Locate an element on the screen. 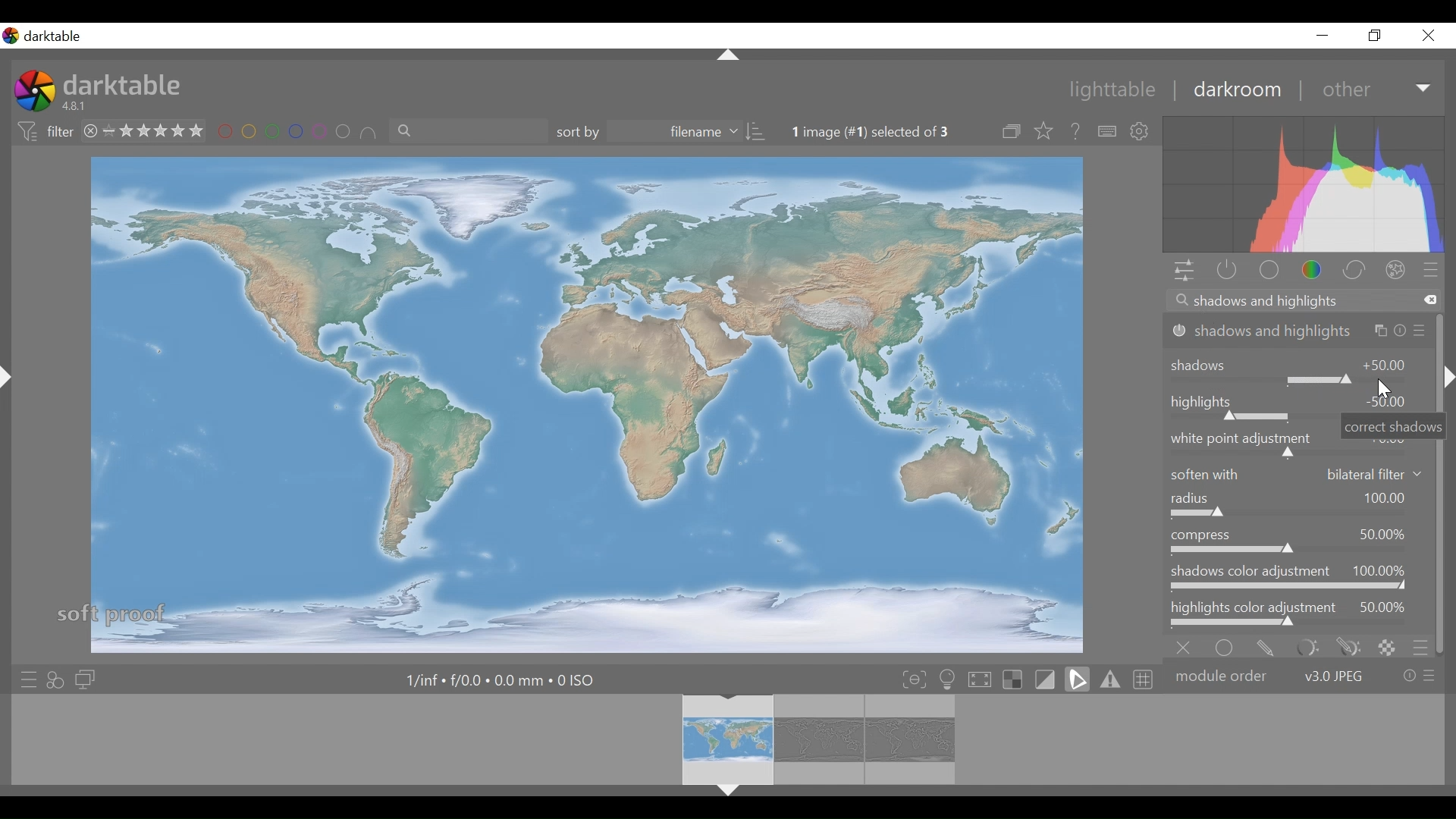  darkroom is located at coordinates (1238, 91).